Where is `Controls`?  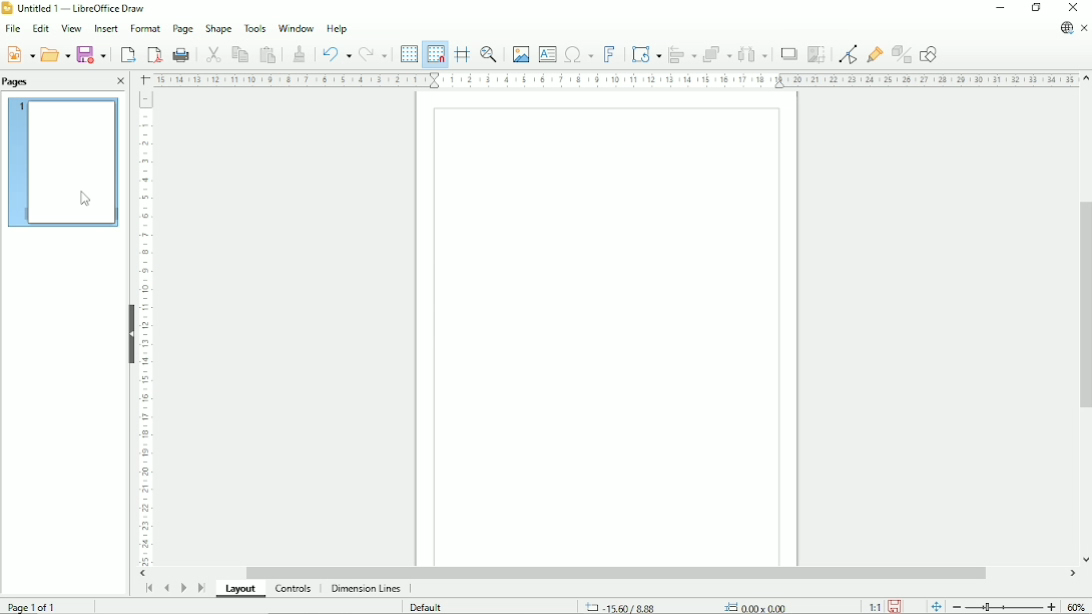
Controls is located at coordinates (295, 589).